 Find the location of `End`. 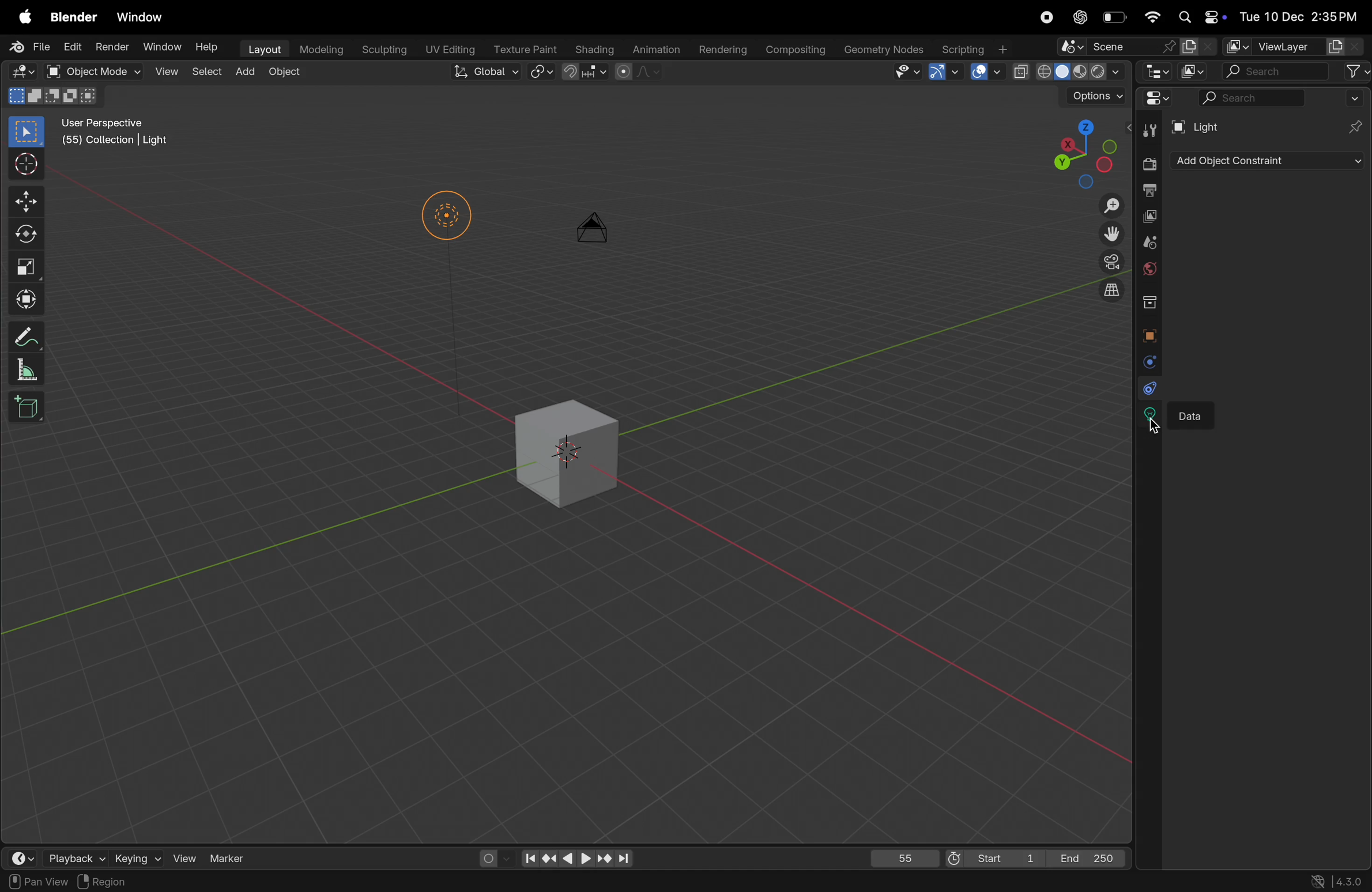

End is located at coordinates (1092, 858).